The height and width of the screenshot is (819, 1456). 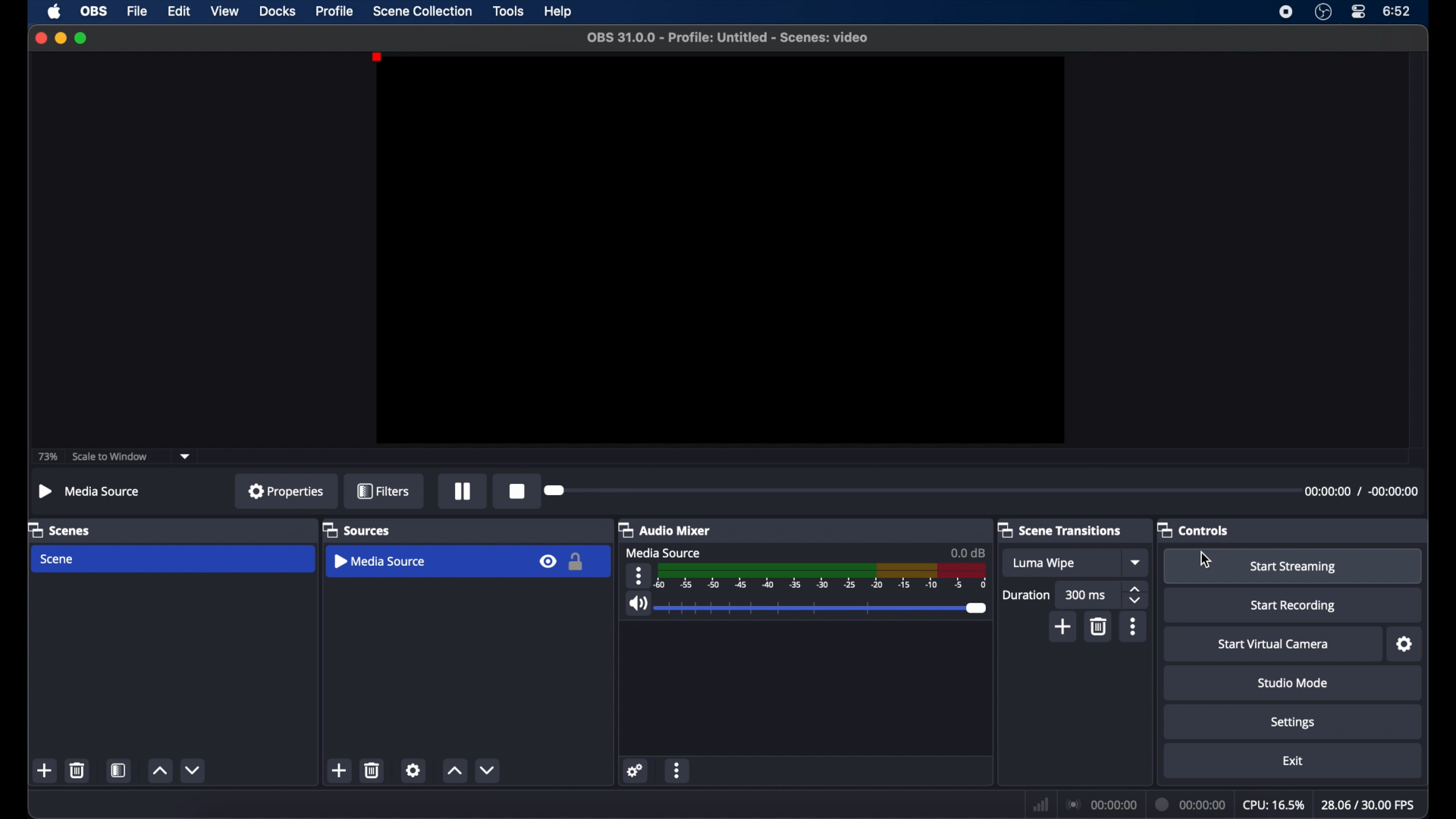 I want to click on decrement, so click(x=488, y=770).